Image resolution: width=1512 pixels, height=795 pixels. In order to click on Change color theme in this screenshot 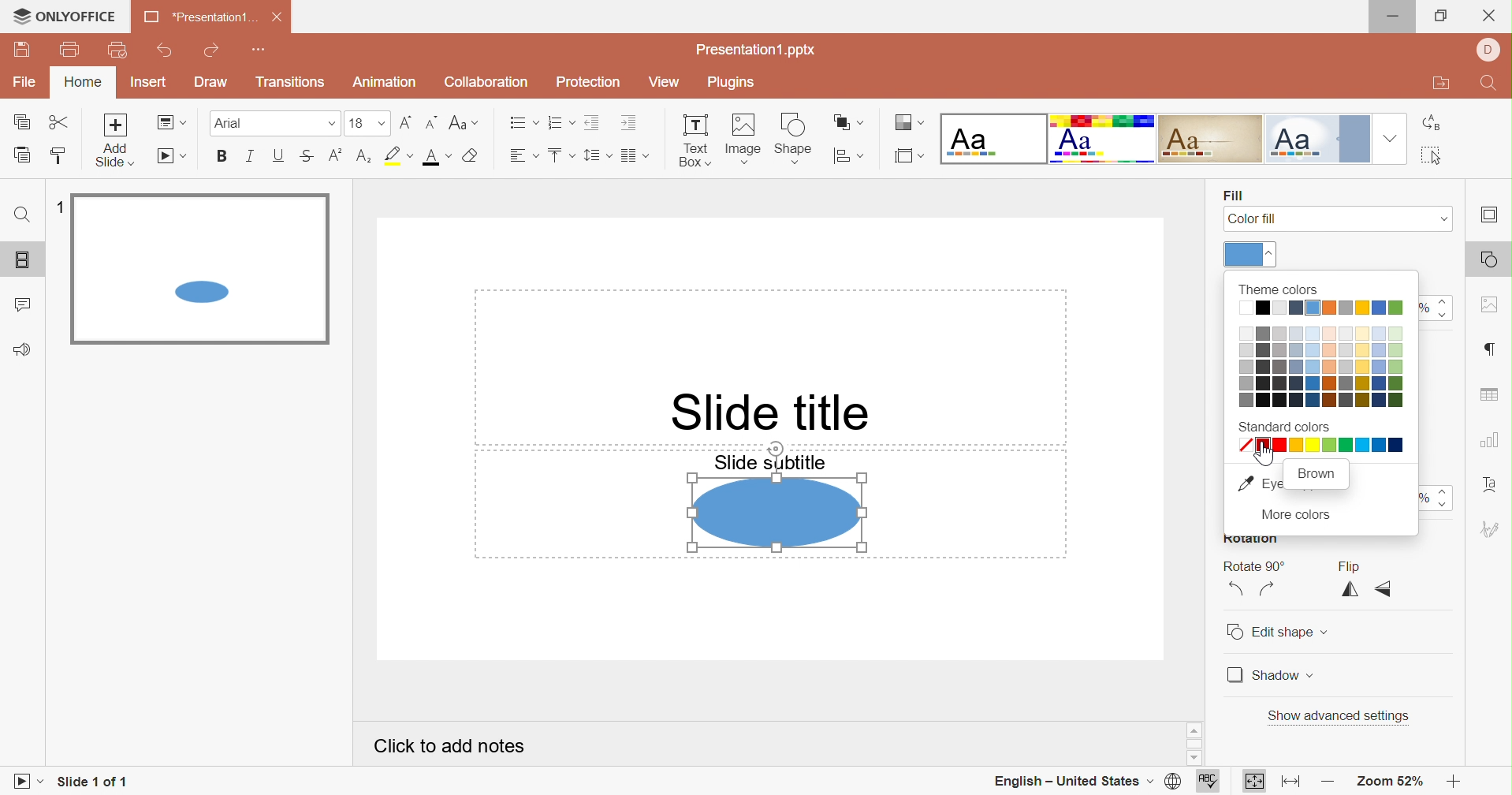, I will do `click(907, 122)`.